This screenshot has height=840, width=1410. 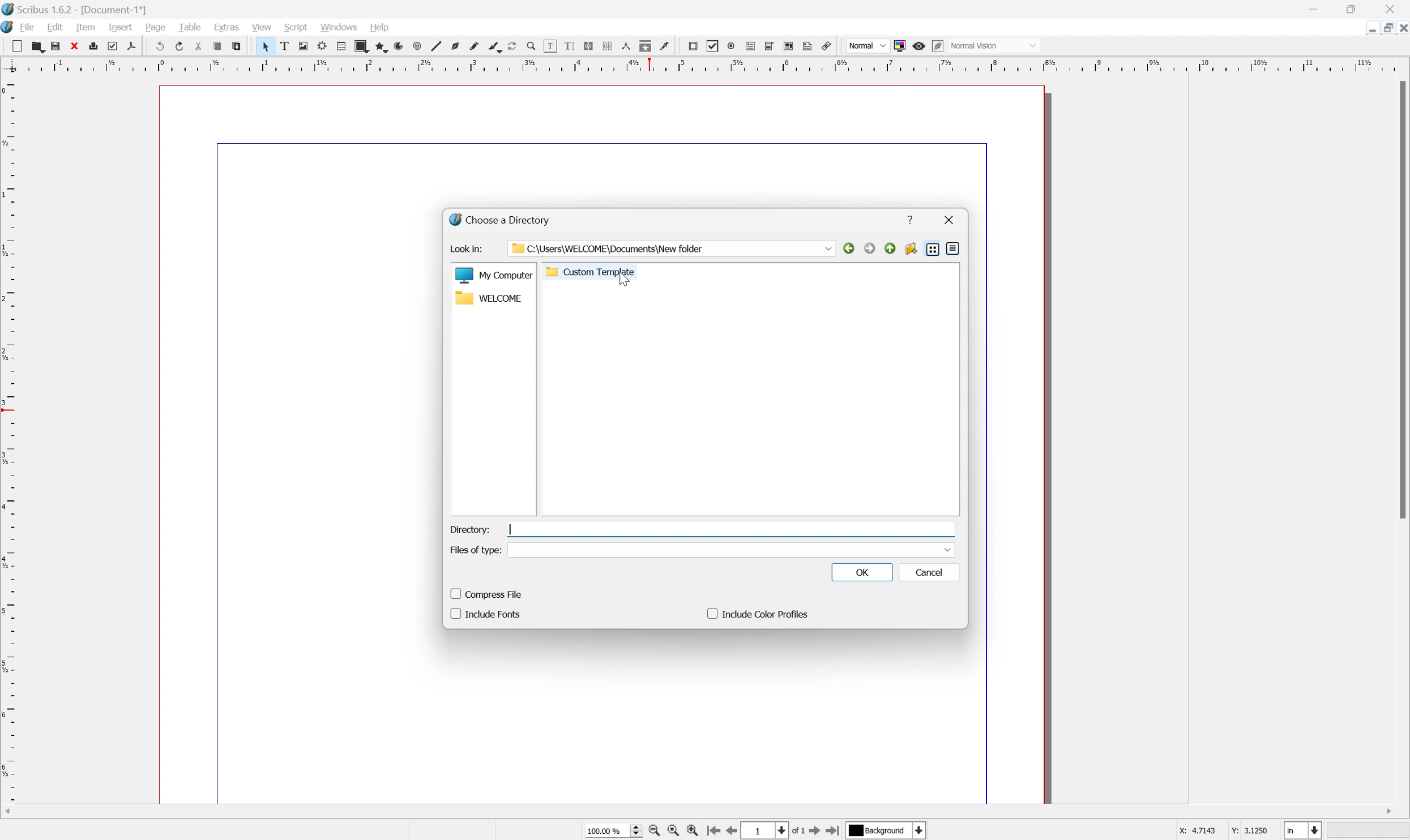 What do you see at coordinates (361, 45) in the screenshot?
I see `shape` at bounding box center [361, 45].